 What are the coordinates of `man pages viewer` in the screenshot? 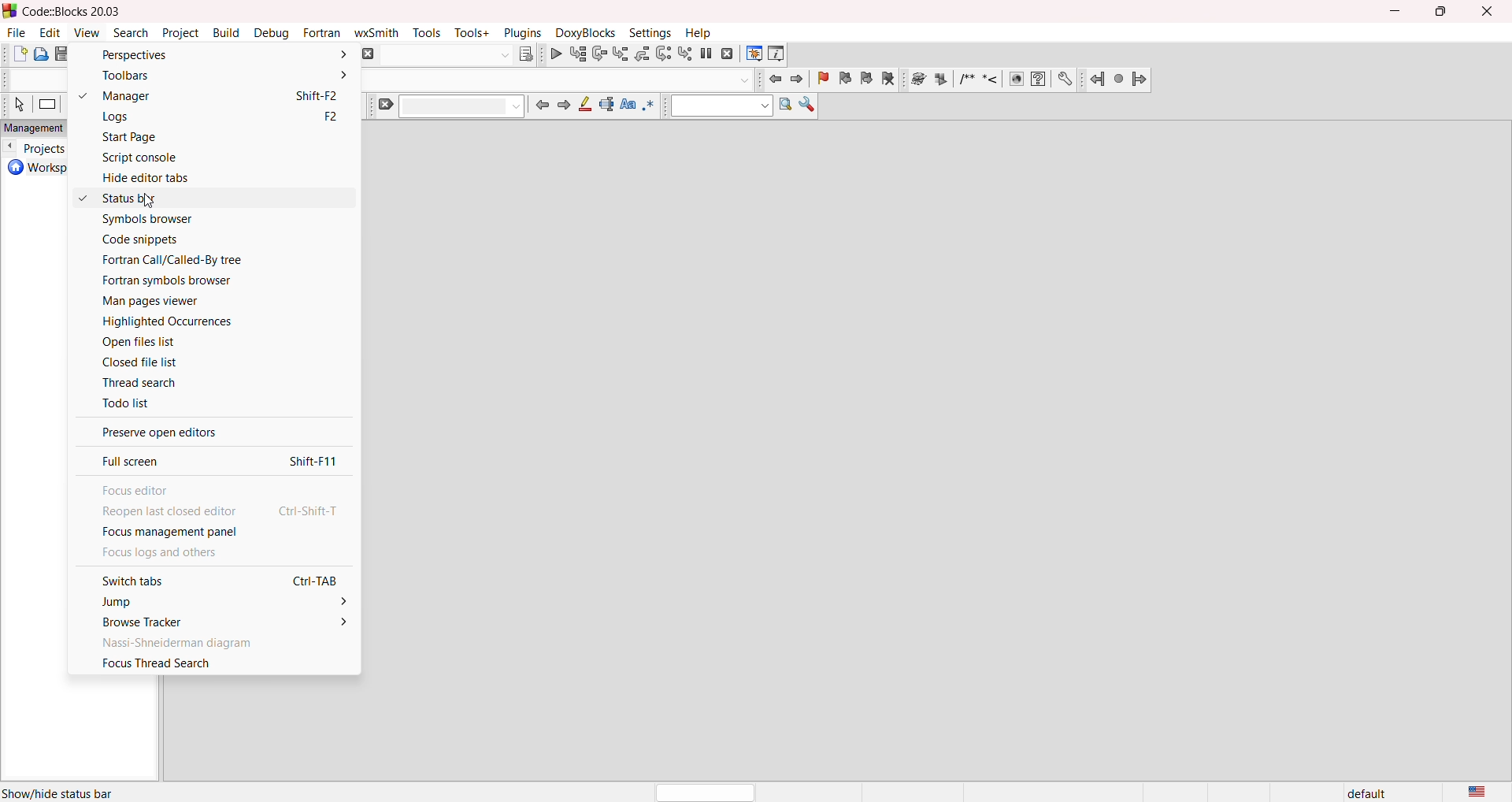 It's located at (211, 302).